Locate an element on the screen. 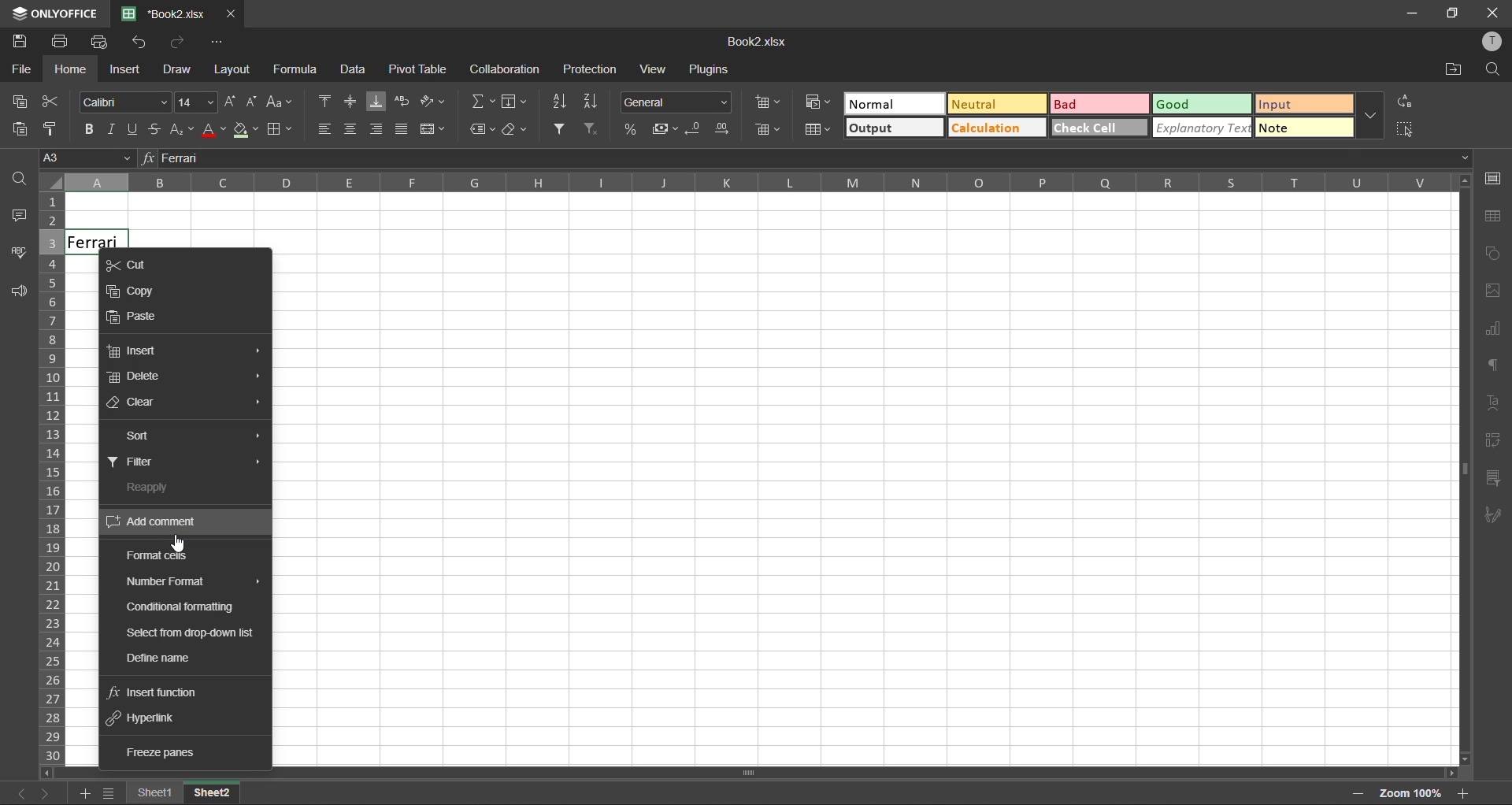 The image size is (1512, 805). cell address is located at coordinates (89, 160).